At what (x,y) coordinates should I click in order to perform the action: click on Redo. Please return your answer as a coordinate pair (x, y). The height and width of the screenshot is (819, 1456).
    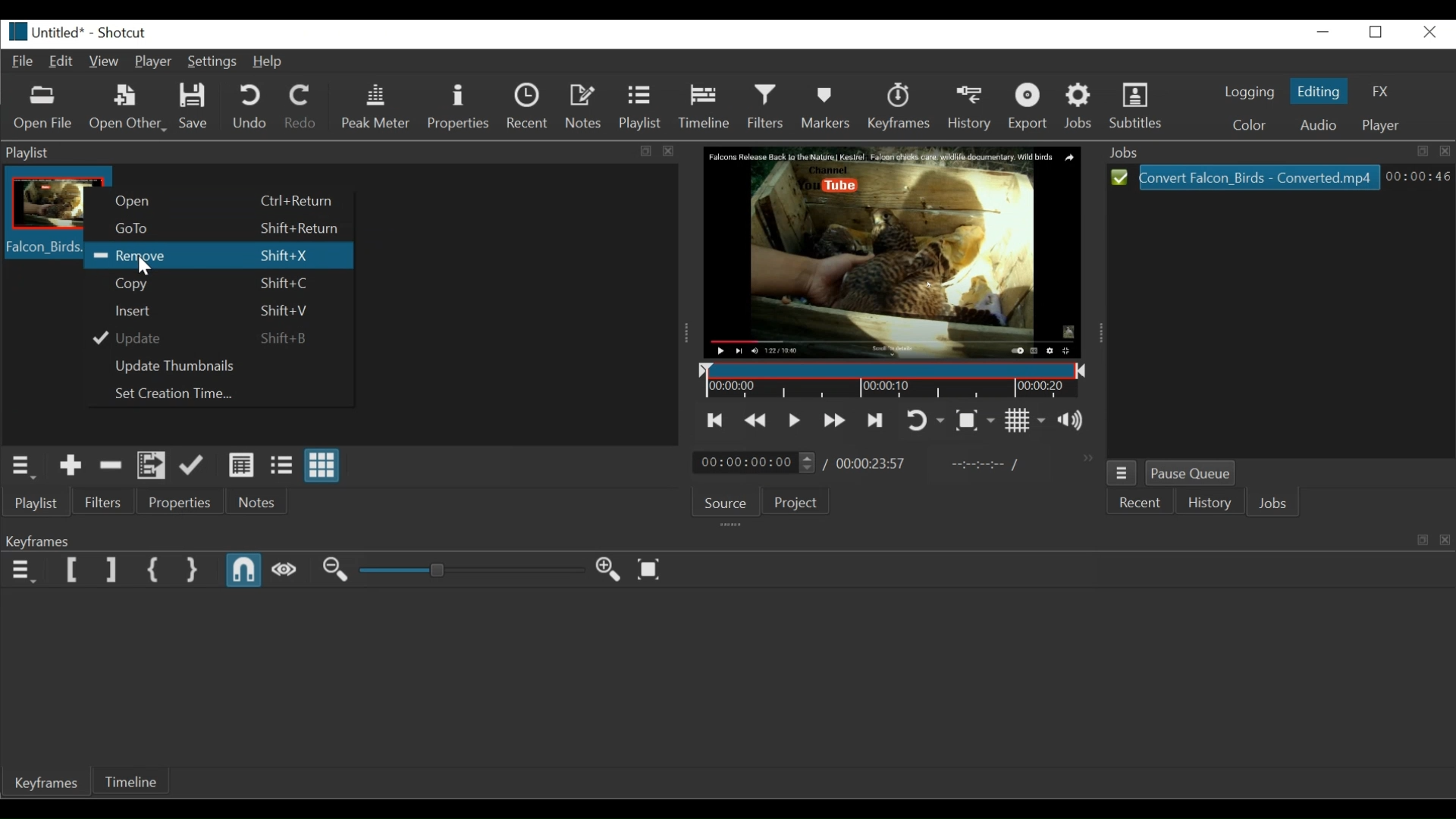
    Looking at the image, I should click on (302, 107).